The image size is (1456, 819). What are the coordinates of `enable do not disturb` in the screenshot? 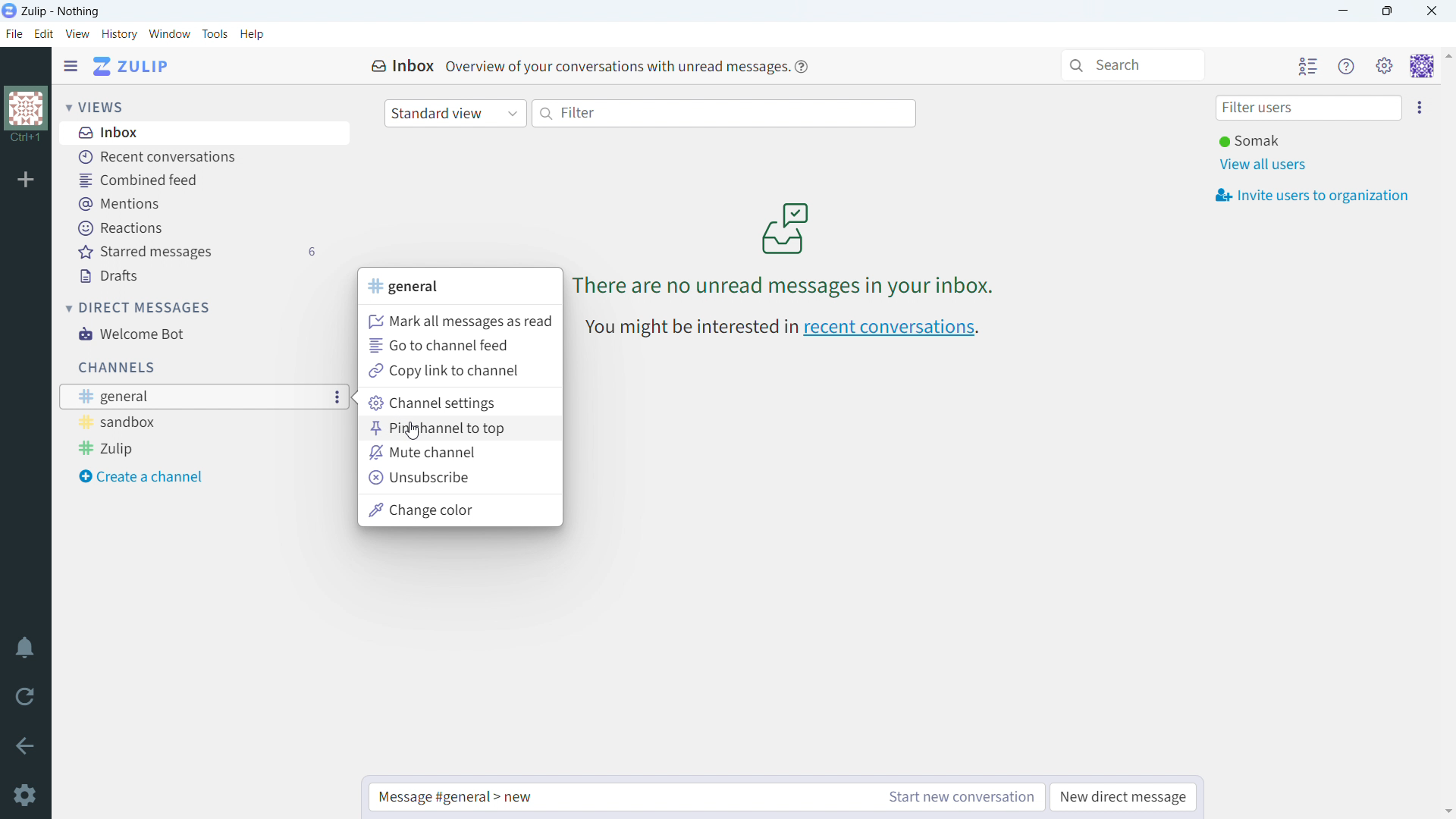 It's located at (25, 648).